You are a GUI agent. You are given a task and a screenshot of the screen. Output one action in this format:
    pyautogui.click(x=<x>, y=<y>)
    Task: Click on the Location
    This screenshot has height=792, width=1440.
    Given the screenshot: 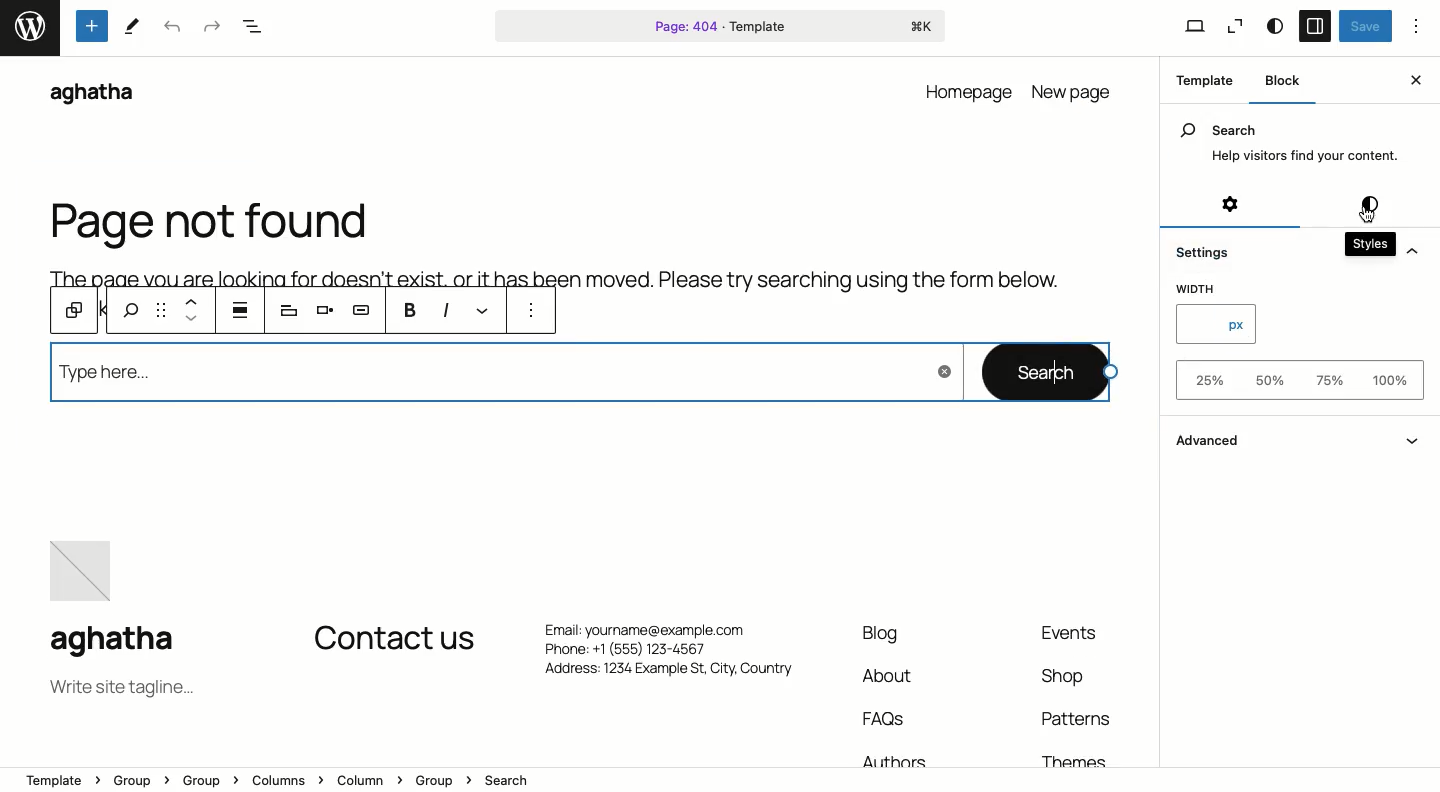 What is the action you would take?
    pyautogui.click(x=721, y=782)
    